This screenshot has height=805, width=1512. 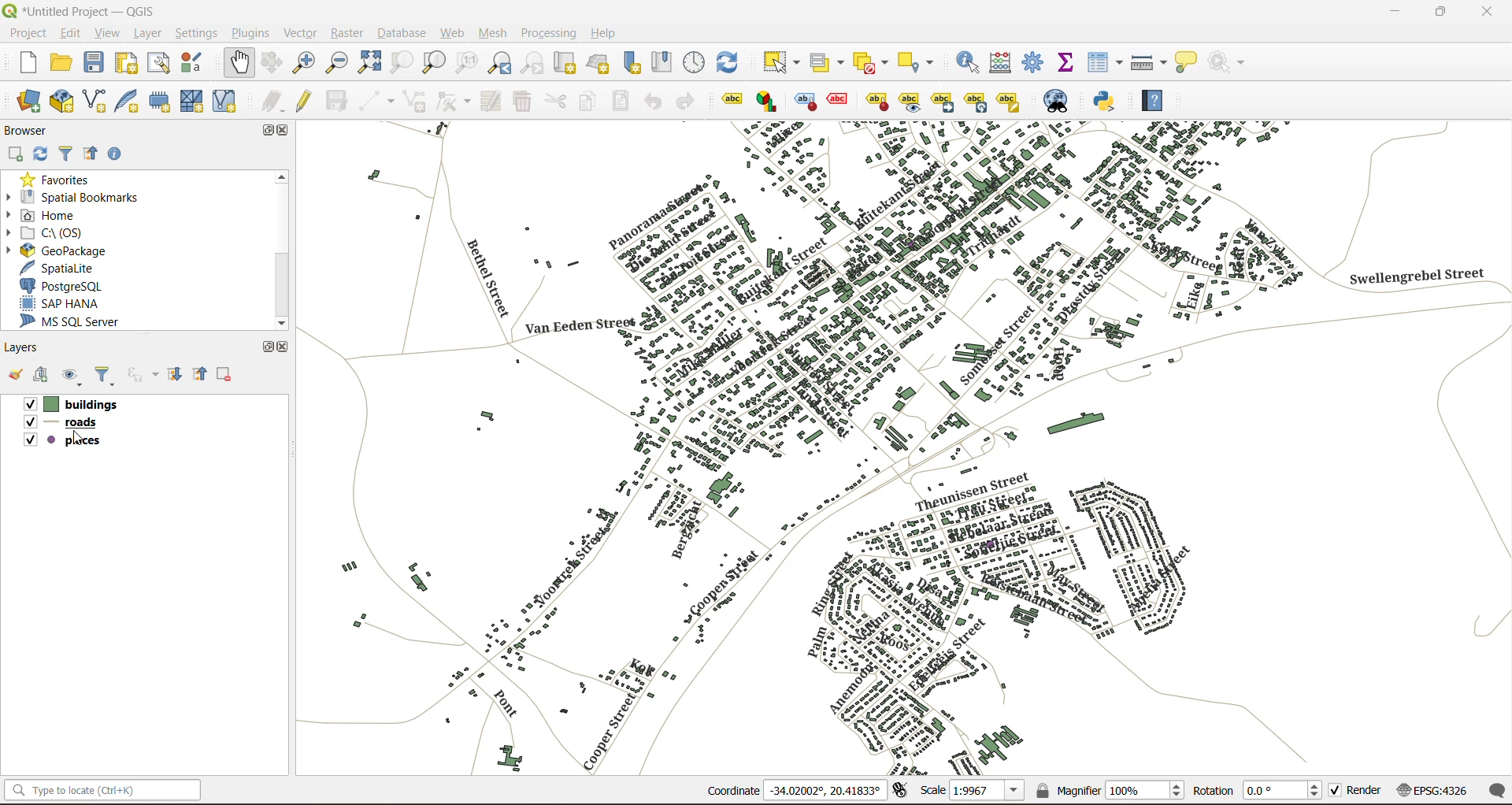 I want to click on metasearch, so click(x=1059, y=100).